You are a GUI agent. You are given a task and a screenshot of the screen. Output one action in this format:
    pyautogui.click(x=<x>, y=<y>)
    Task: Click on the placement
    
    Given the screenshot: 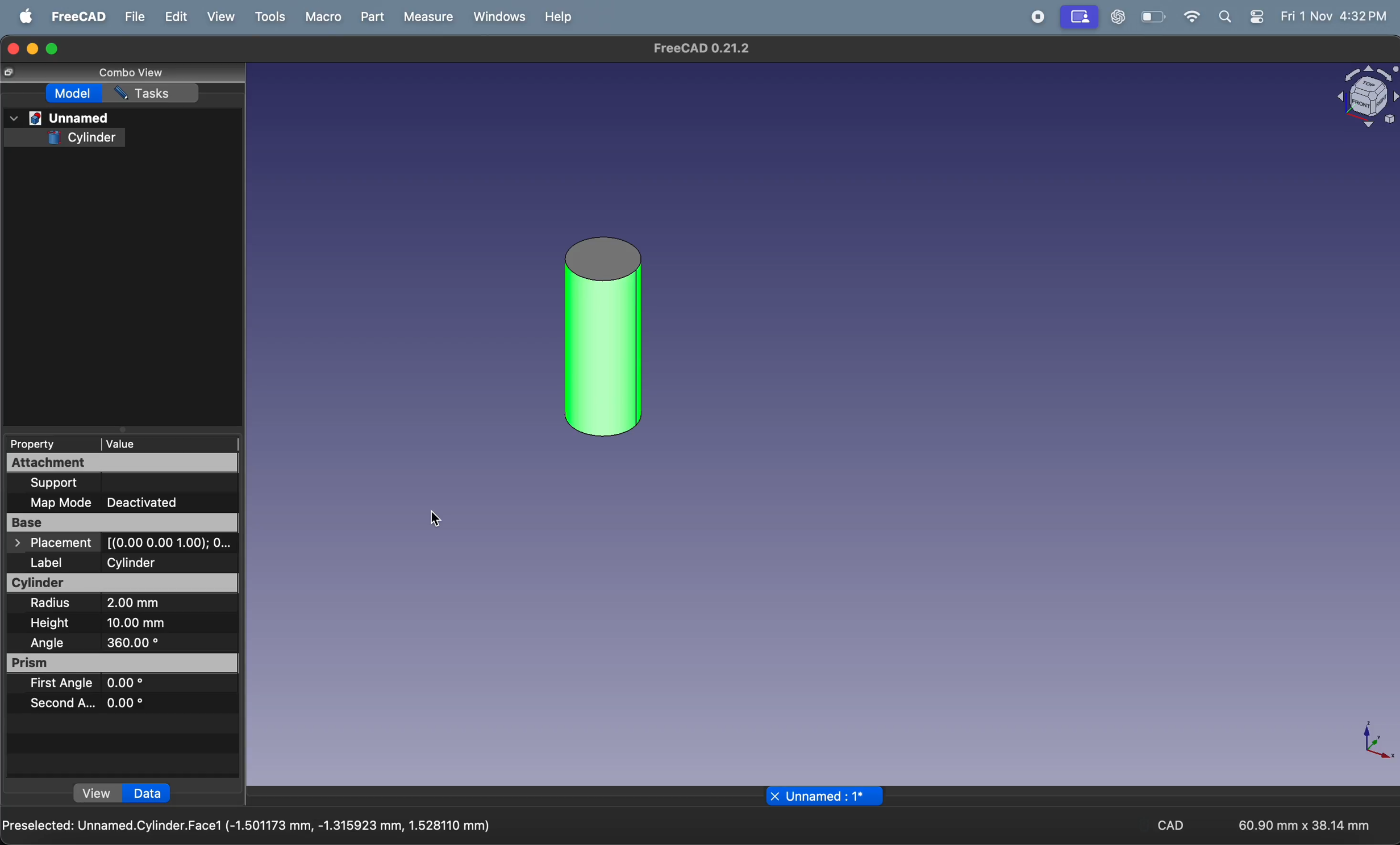 What is the action you would take?
    pyautogui.click(x=123, y=543)
    